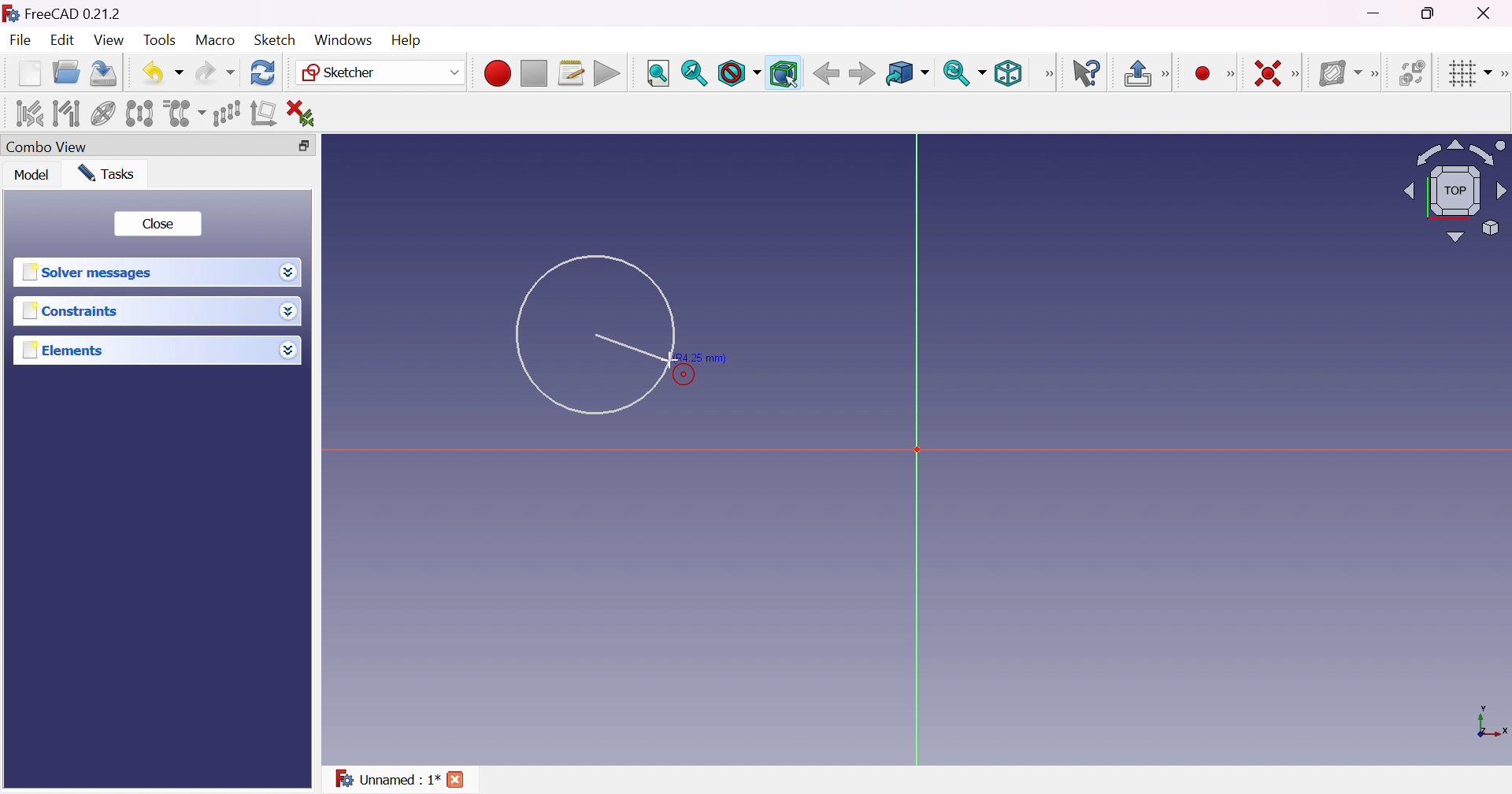  What do you see at coordinates (216, 40) in the screenshot?
I see `Macro` at bounding box center [216, 40].